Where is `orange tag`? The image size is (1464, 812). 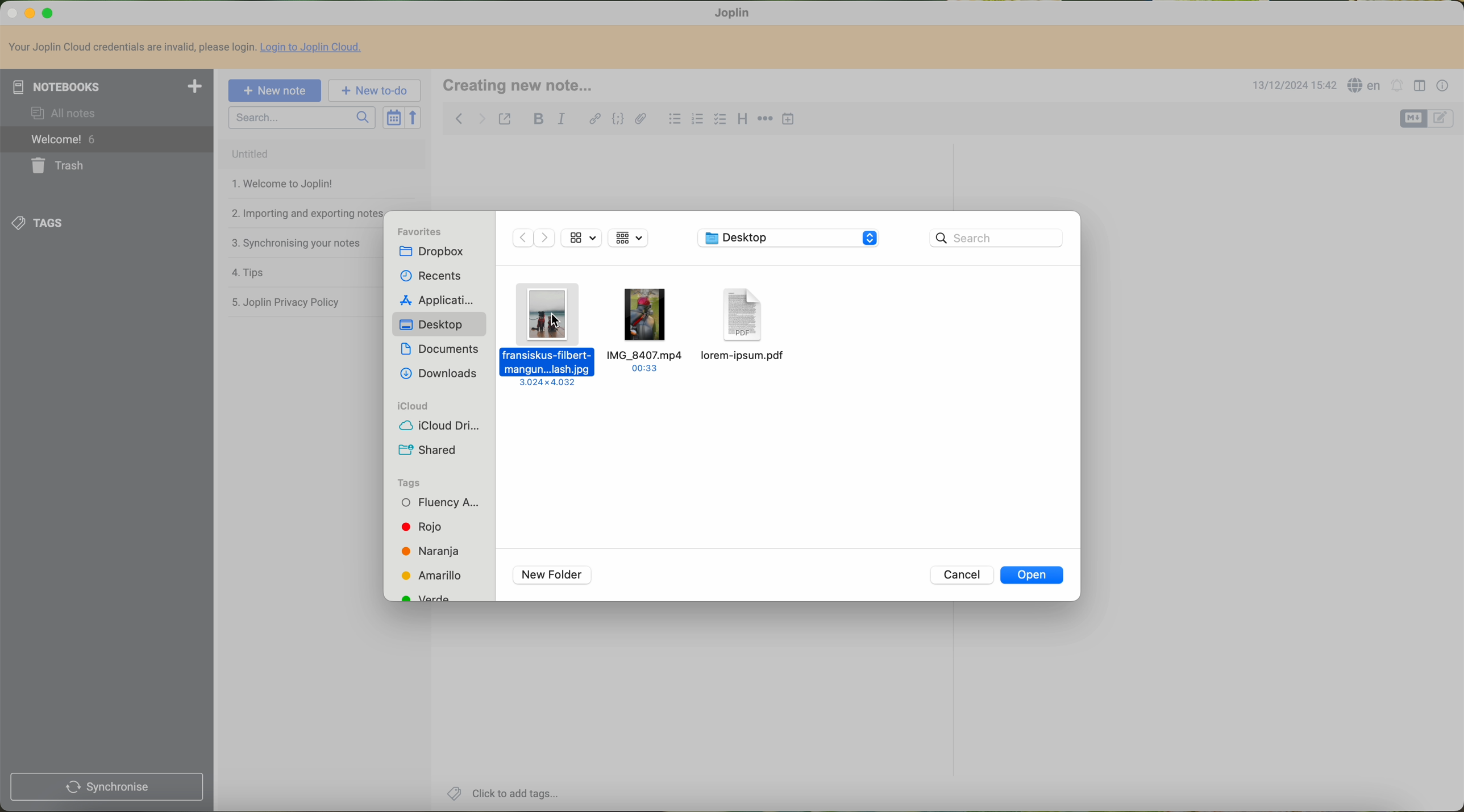 orange tag is located at coordinates (435, 553).